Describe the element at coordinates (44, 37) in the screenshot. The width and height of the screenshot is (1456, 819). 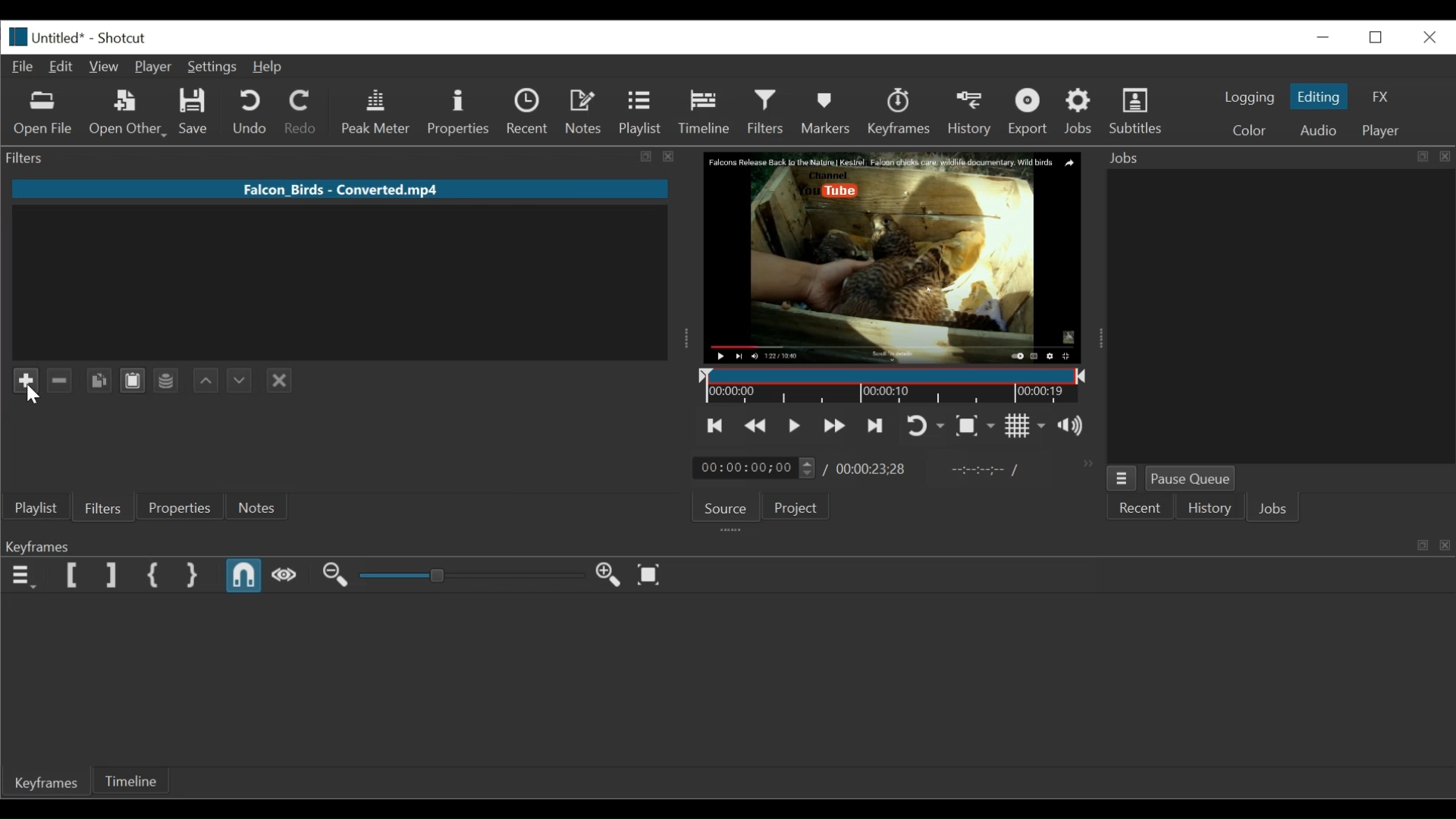
I see `File Name` at that location.